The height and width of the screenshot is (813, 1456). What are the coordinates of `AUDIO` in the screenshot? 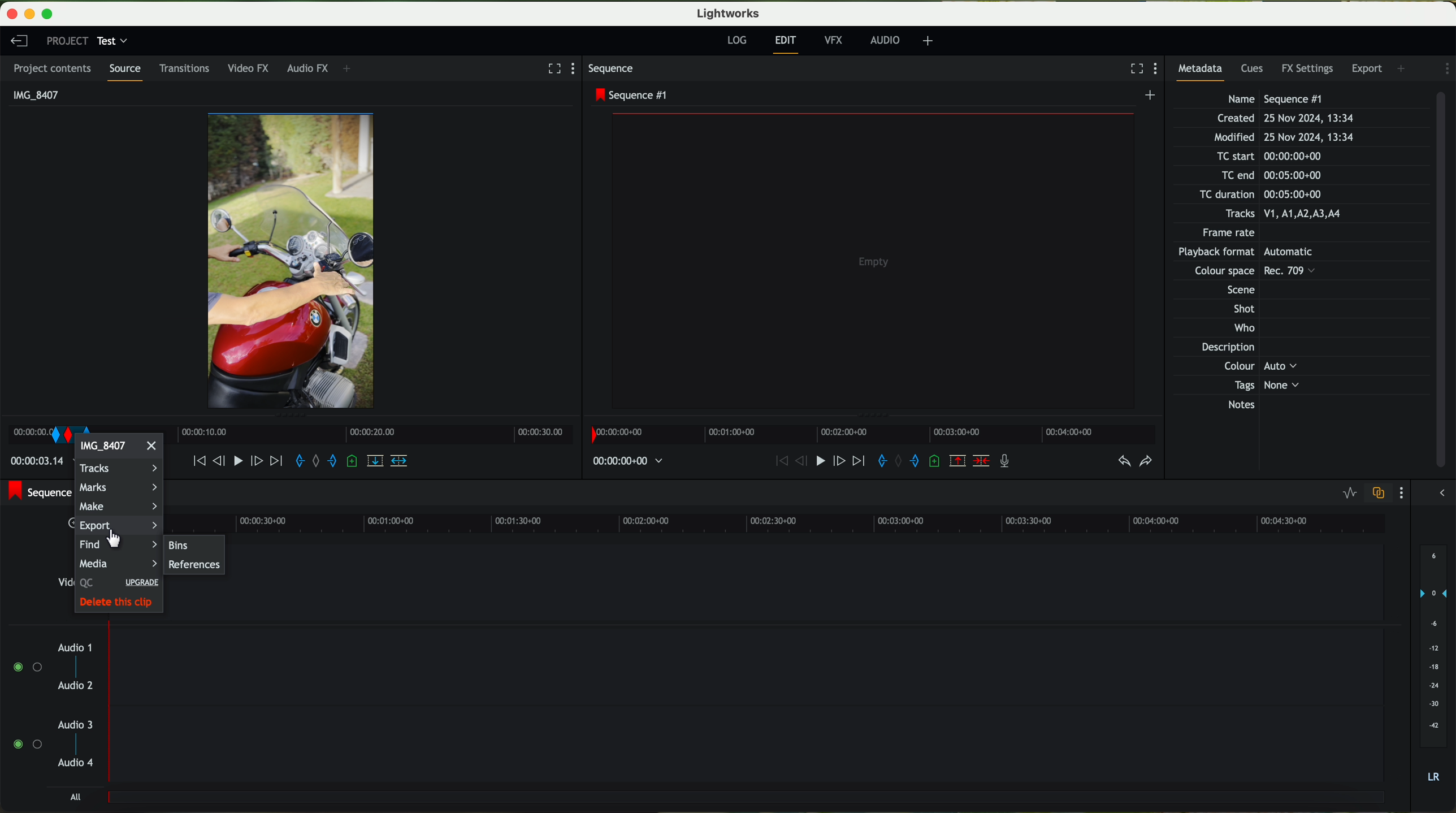 It's located at (883, 40).